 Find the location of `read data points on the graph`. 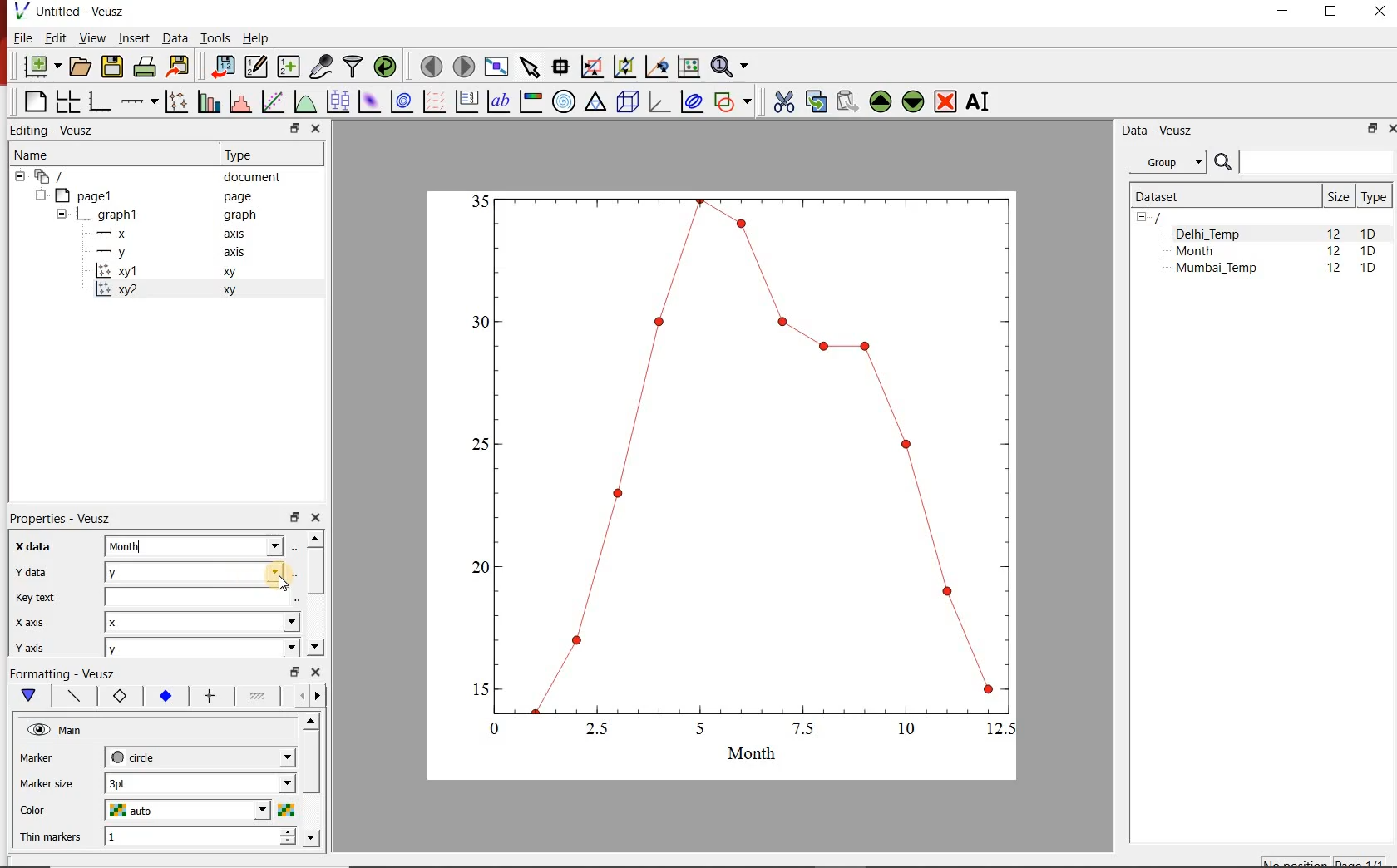

read data points on the graph is located at coordinates (560, 67).